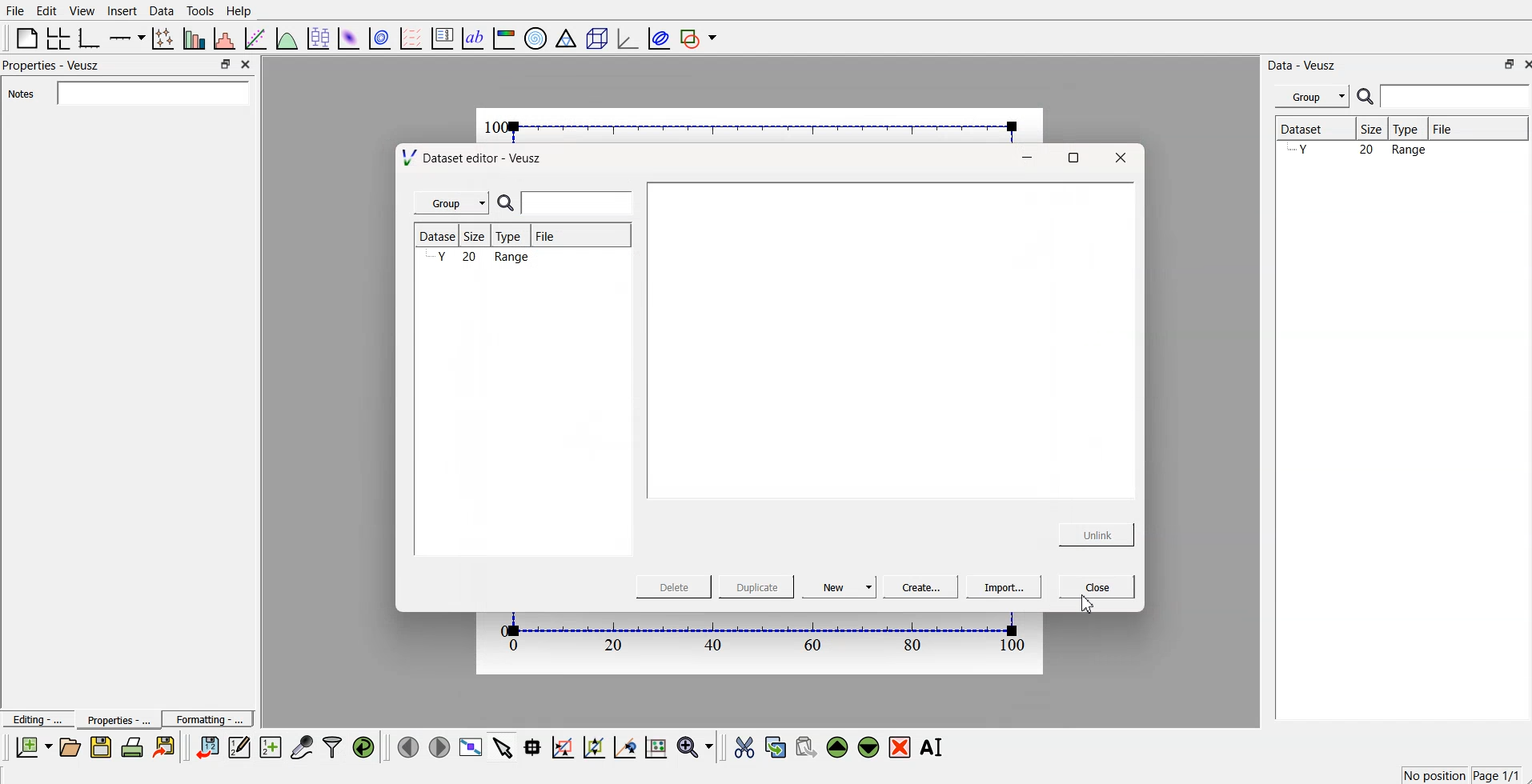 The image size is (1532, 784). What do you see at coordinates (756, 587) in the screenshot?
I see `Duplicate` at bounding box center [756, 587].